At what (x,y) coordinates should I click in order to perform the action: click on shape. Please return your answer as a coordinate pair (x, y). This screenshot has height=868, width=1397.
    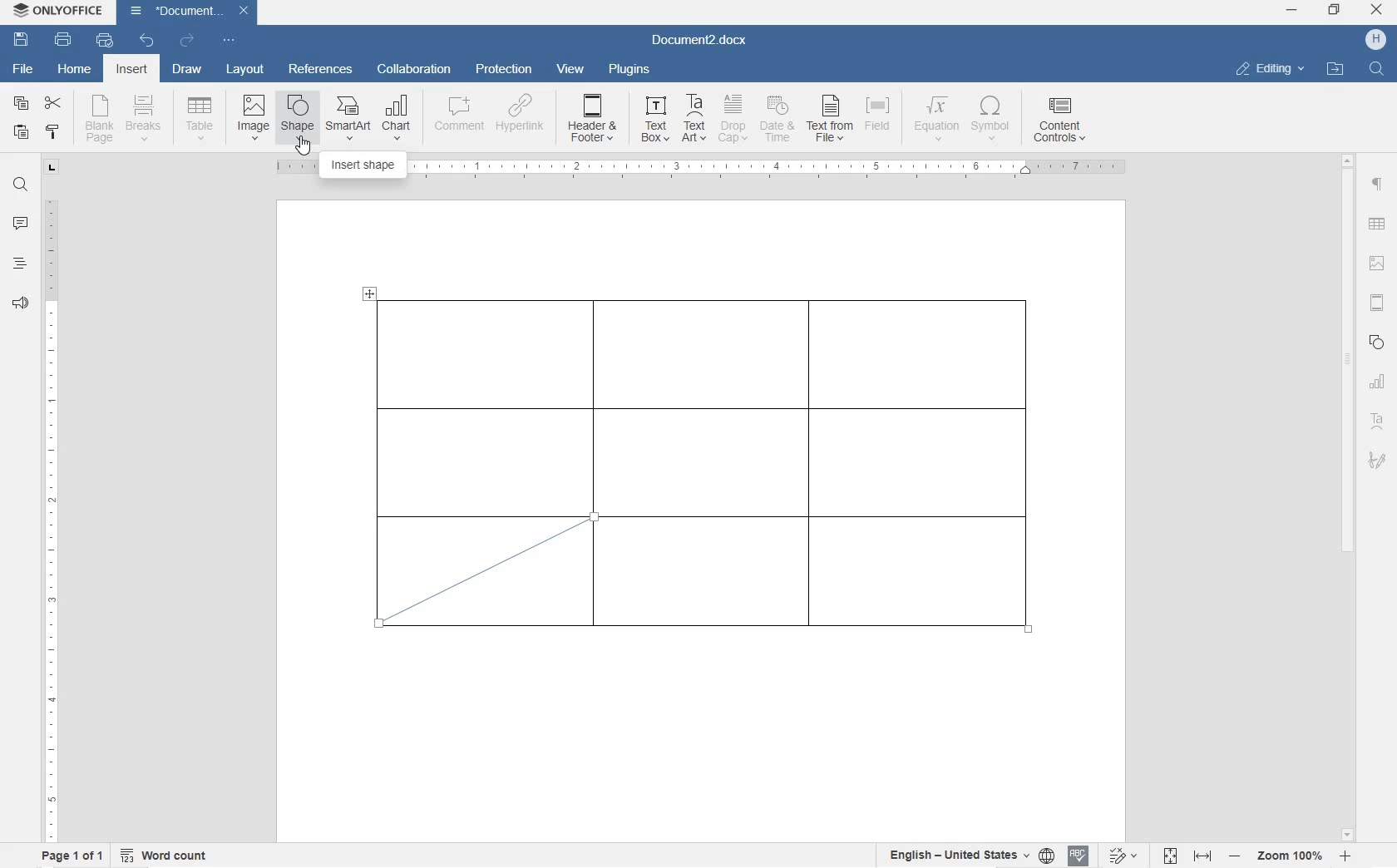
    Looking at the image, I should click on (1377, 342).